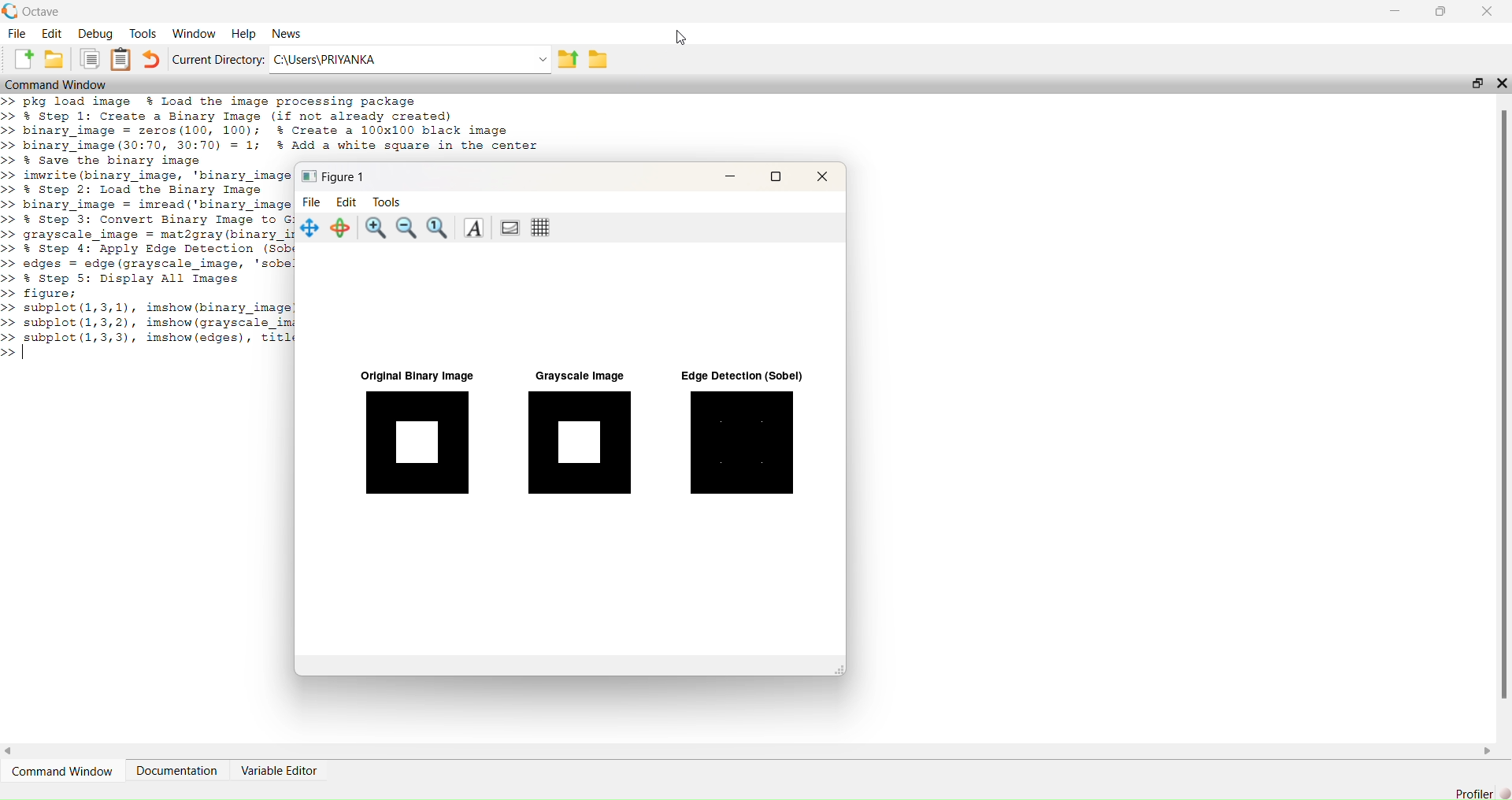 This screenshot has height=800, width=1512. I want to click on File, so click(18, 33).